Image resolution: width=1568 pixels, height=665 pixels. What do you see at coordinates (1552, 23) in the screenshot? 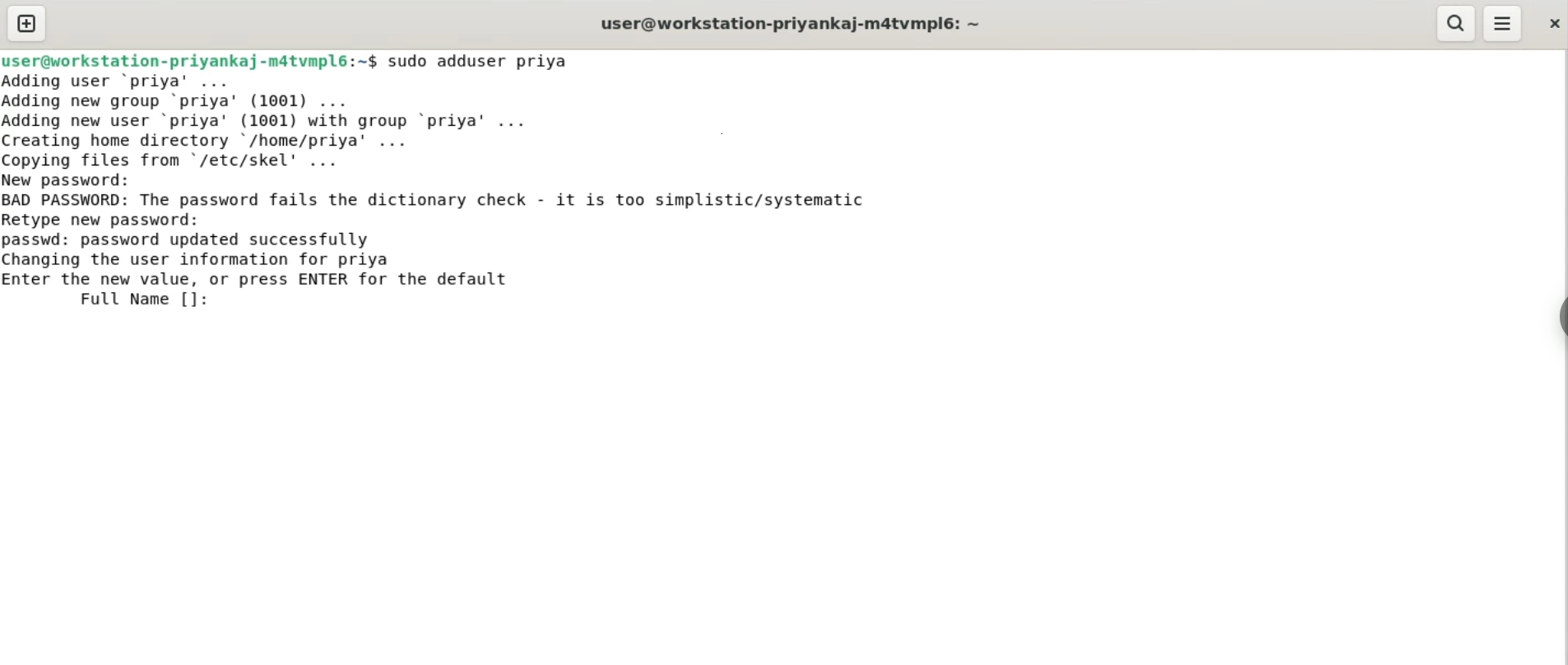
I see `close` at bounding box center [1552, 23].